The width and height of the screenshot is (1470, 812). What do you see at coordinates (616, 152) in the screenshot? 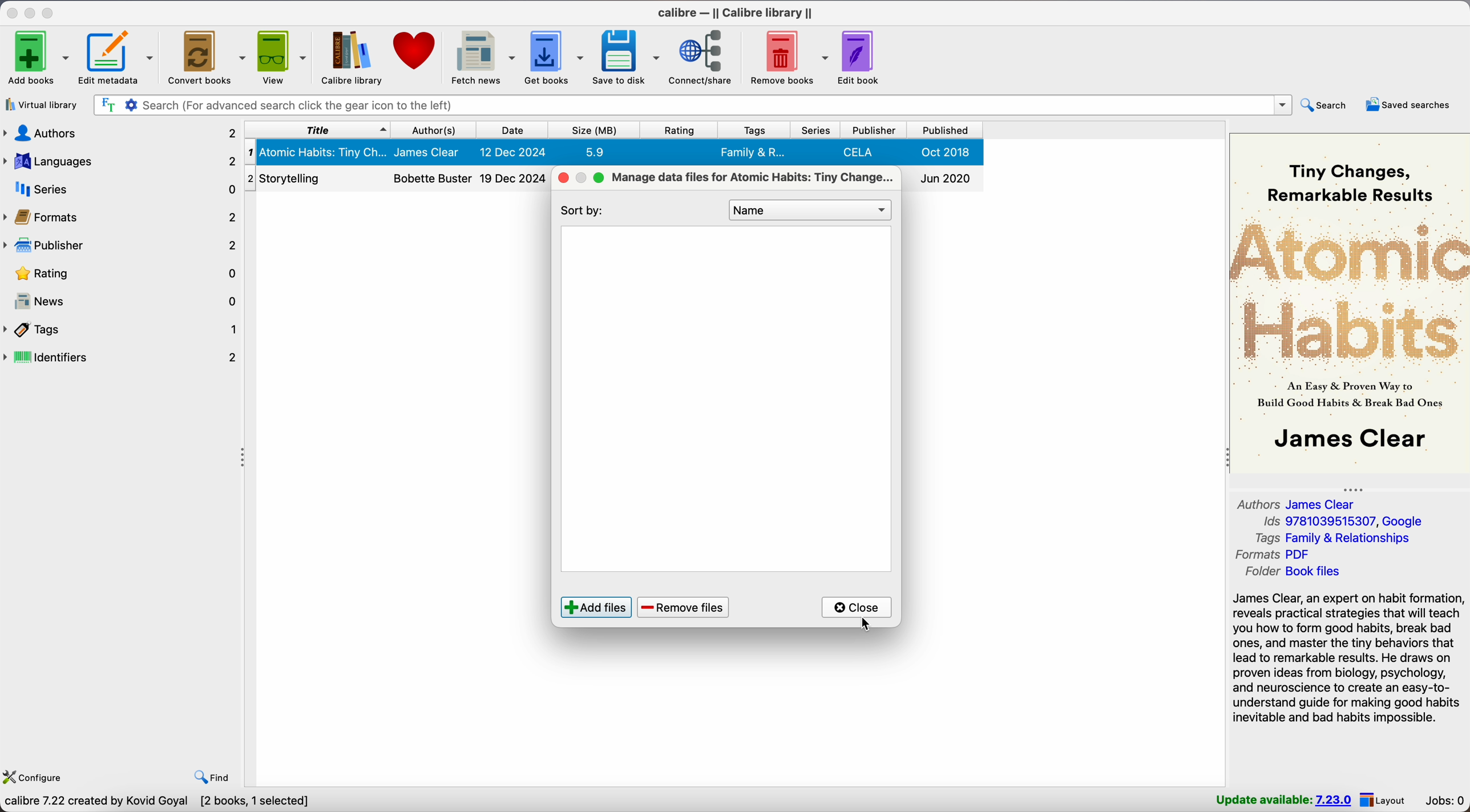
I see `Atomic Habits: Tiny Changes` at bounding box center [616, 152].